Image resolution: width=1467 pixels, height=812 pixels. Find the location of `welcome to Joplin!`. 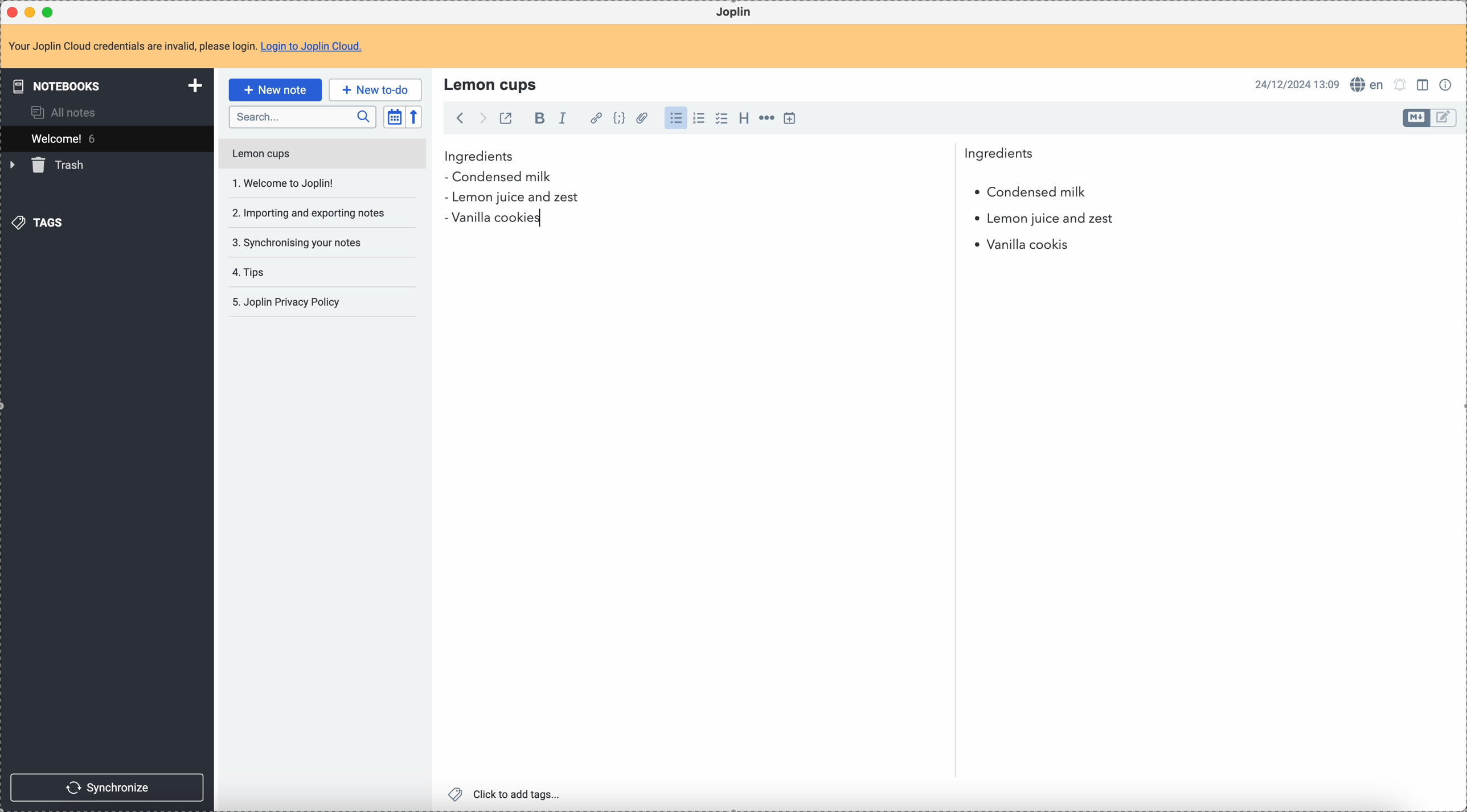

welcome to Joplin! is located at coordinates (284, 183).